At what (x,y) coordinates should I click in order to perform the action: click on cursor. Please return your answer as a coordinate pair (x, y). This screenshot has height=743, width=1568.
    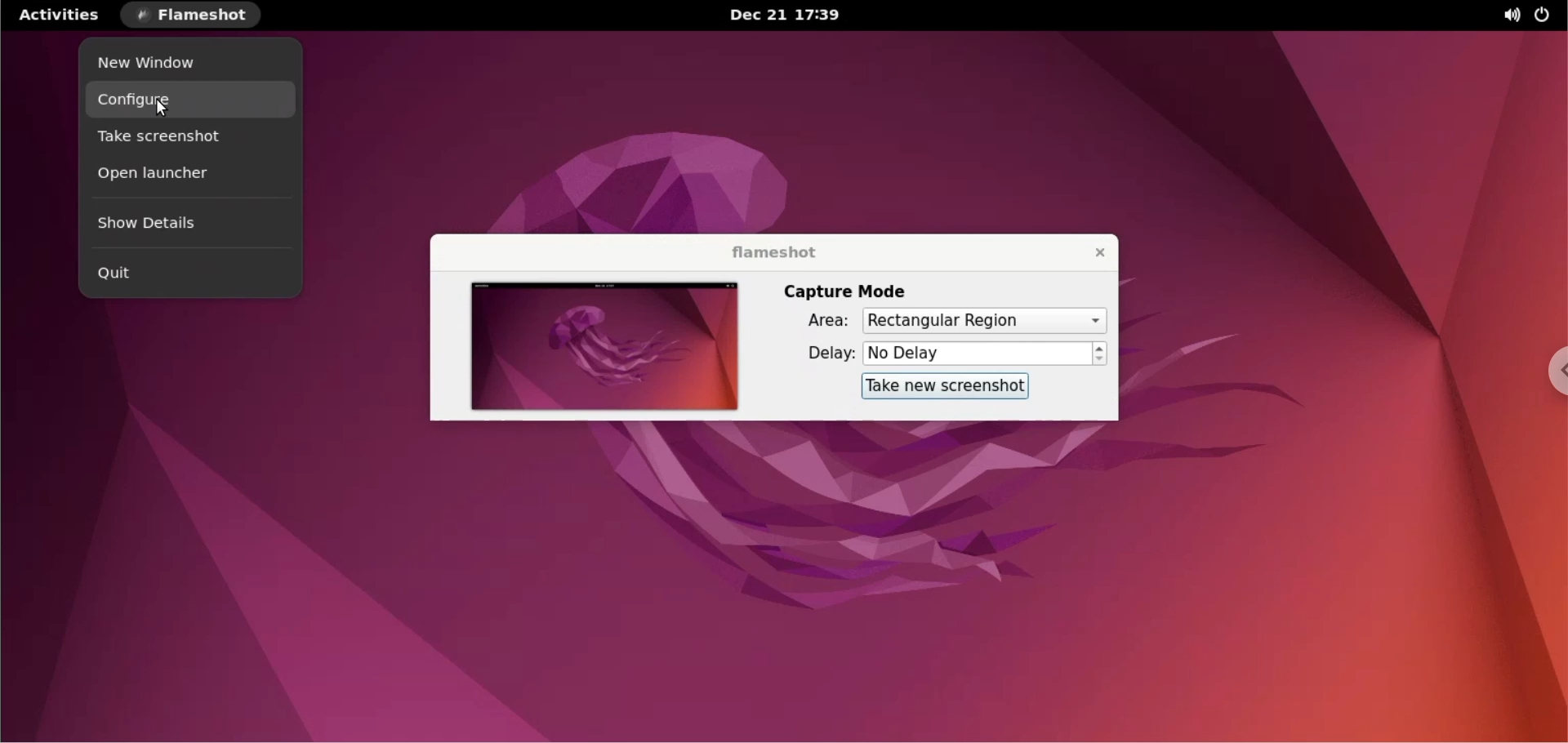
    Looking at the image, I should click on (165, 105).